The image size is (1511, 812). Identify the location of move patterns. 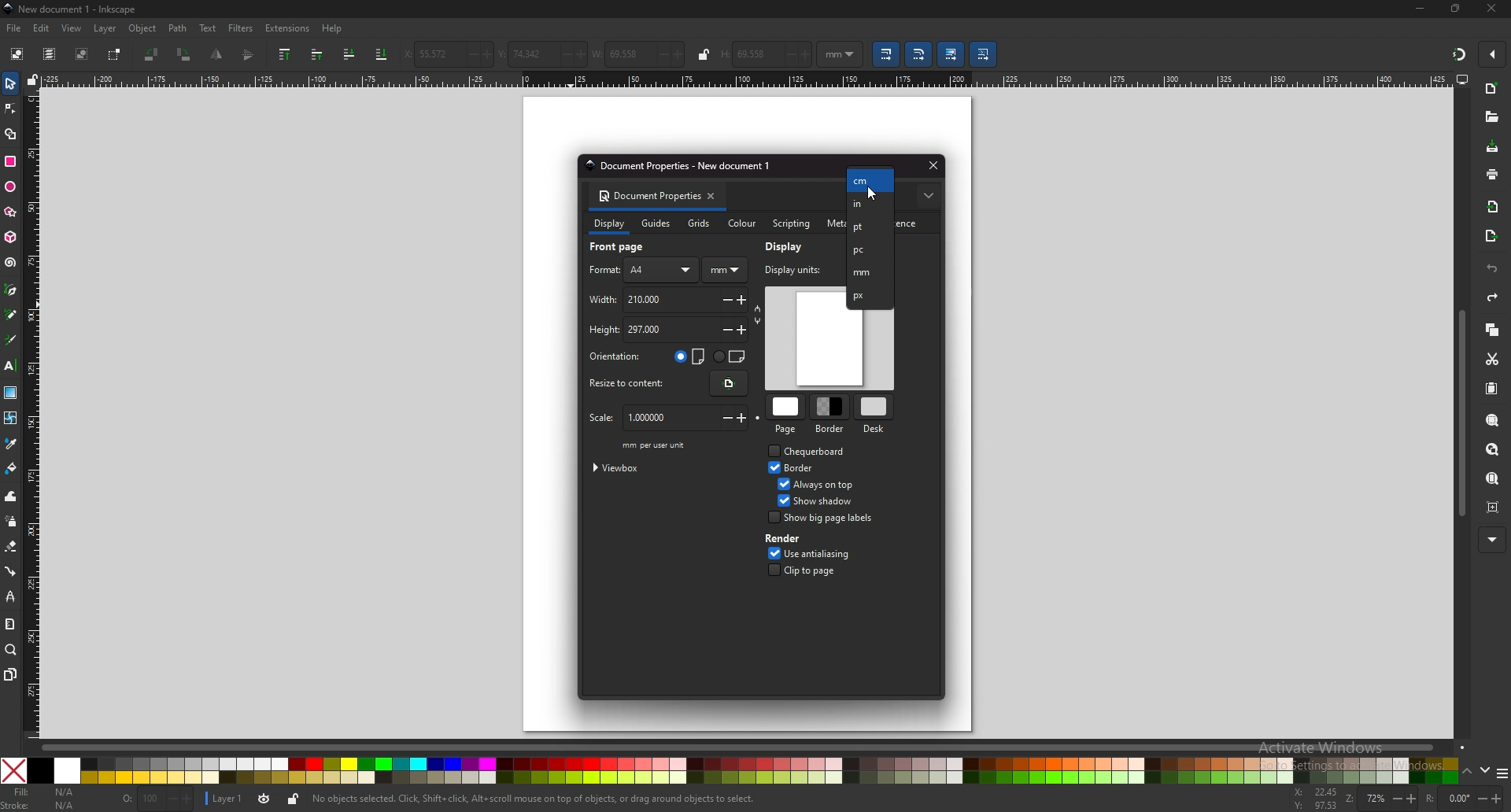
(985, 54).